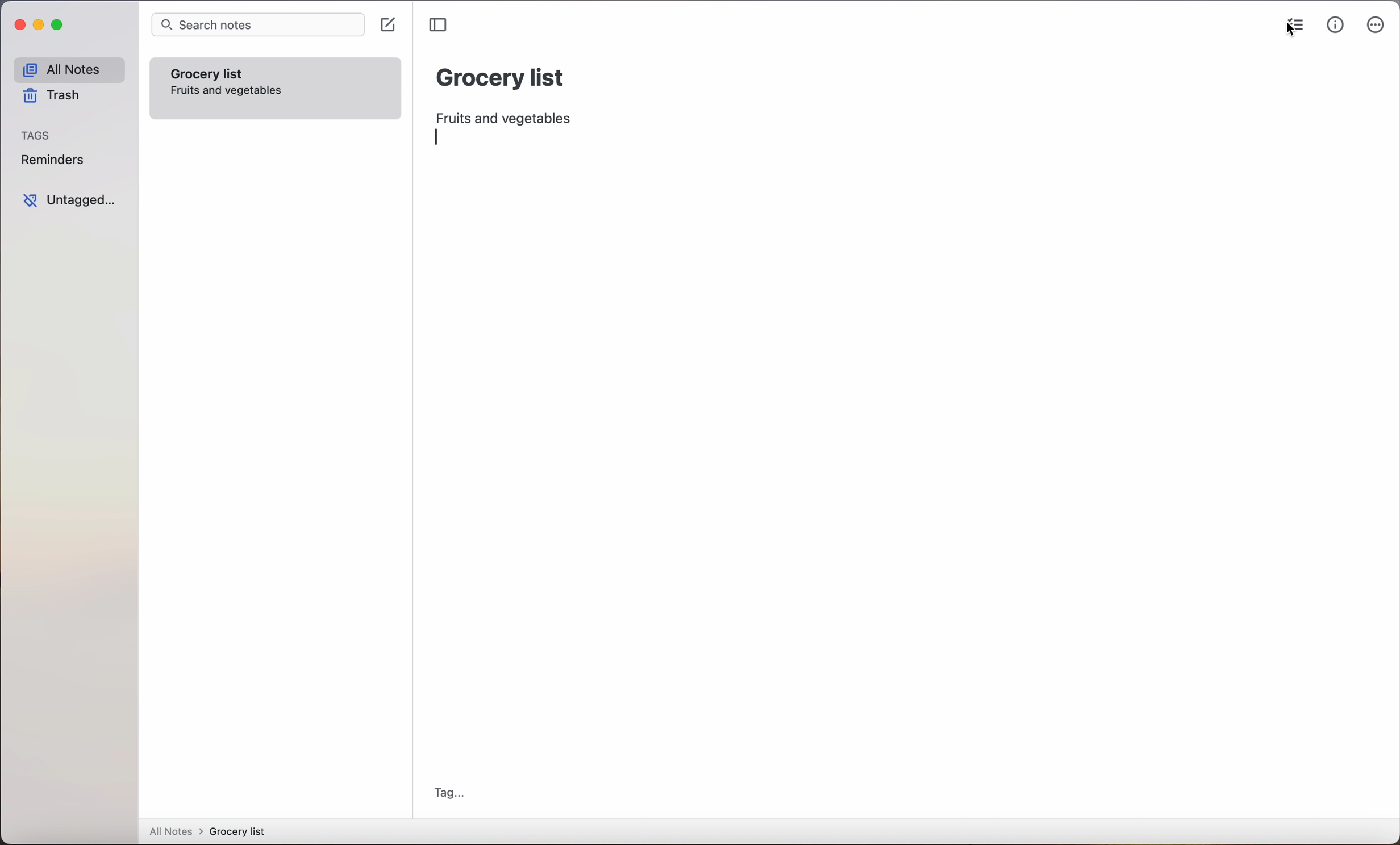  What do you see at coordinates (257, 26) in the screenshot?
I see `search bar` at bounding box center [257, 26].